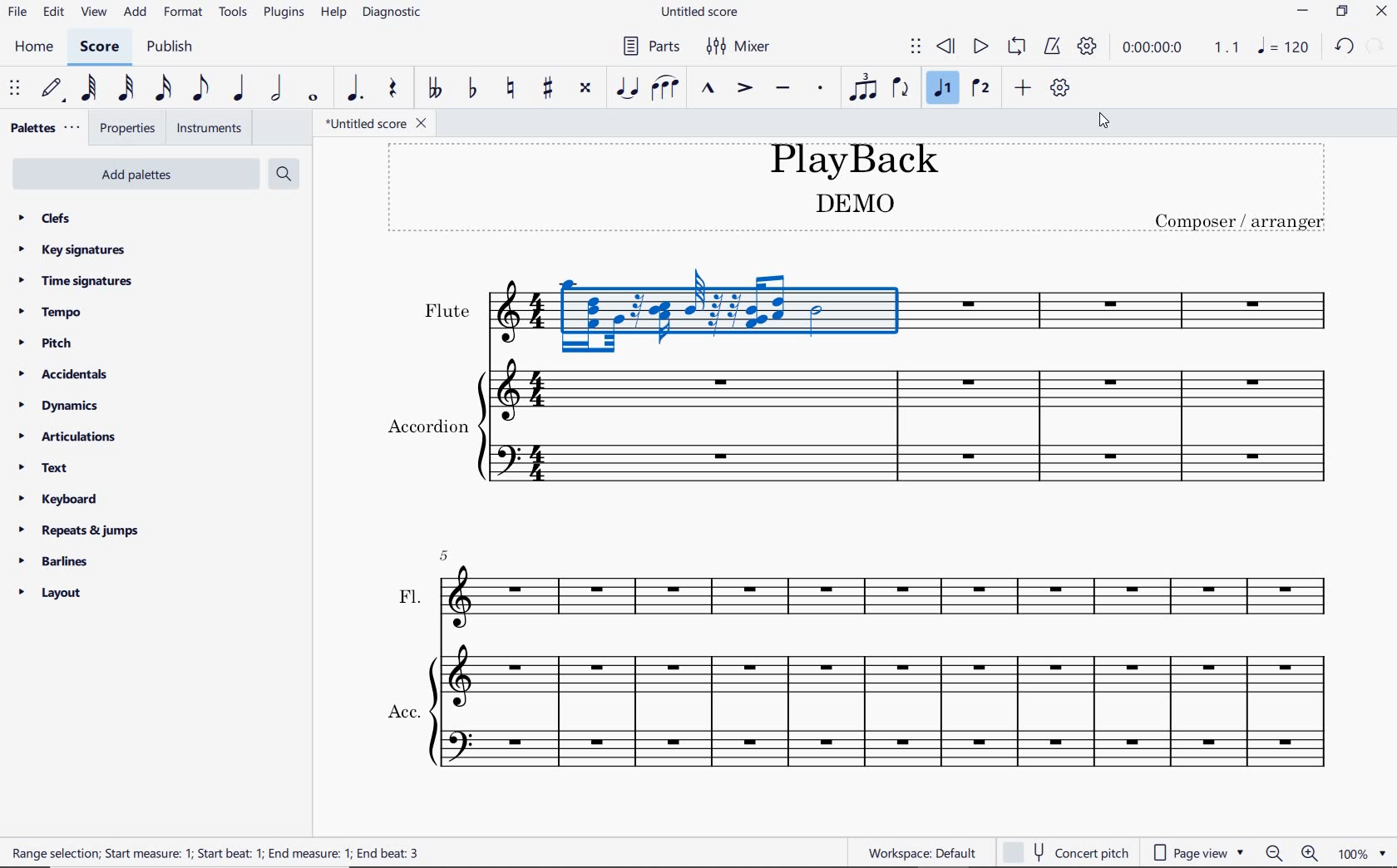 This screenshot has width=1397, height=868. Describe the element at coordinates (79, 530) in the screenshot. I see `repeats & jumps` at that location.